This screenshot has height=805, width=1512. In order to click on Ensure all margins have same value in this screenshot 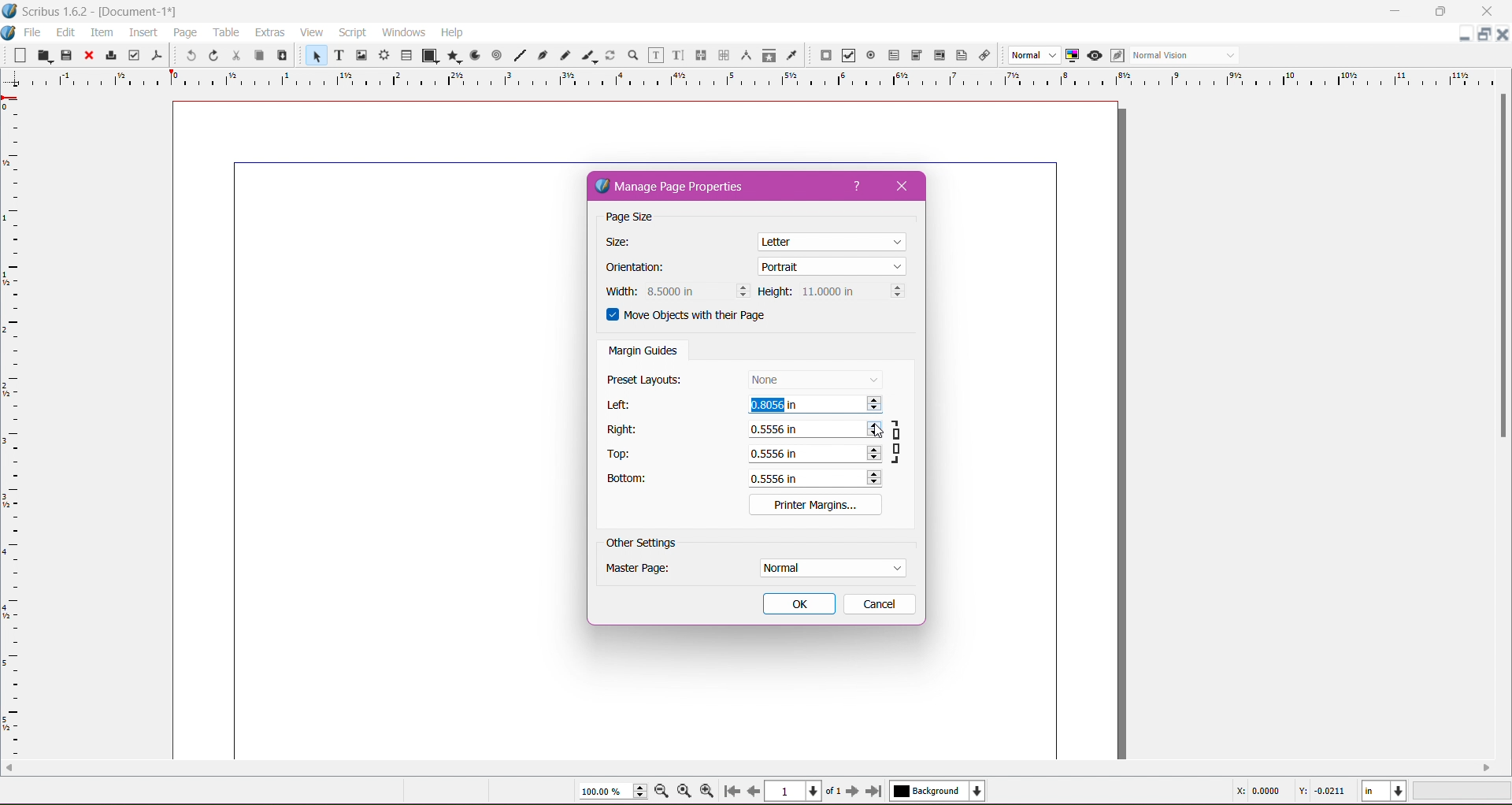, I will do `click(899, 440)`.